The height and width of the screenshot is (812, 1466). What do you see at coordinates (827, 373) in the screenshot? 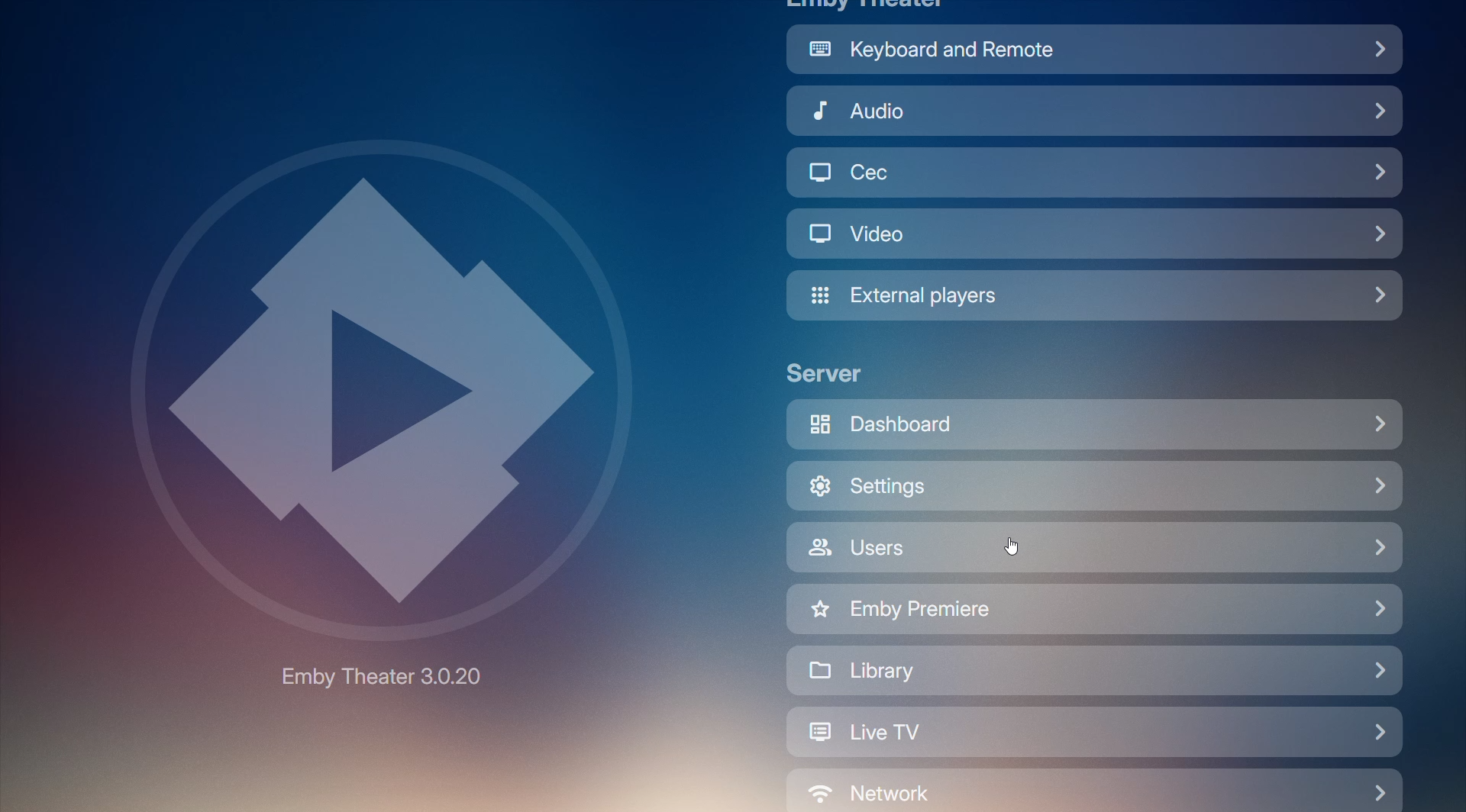
I see `Server` at bounding box center [827, 373].